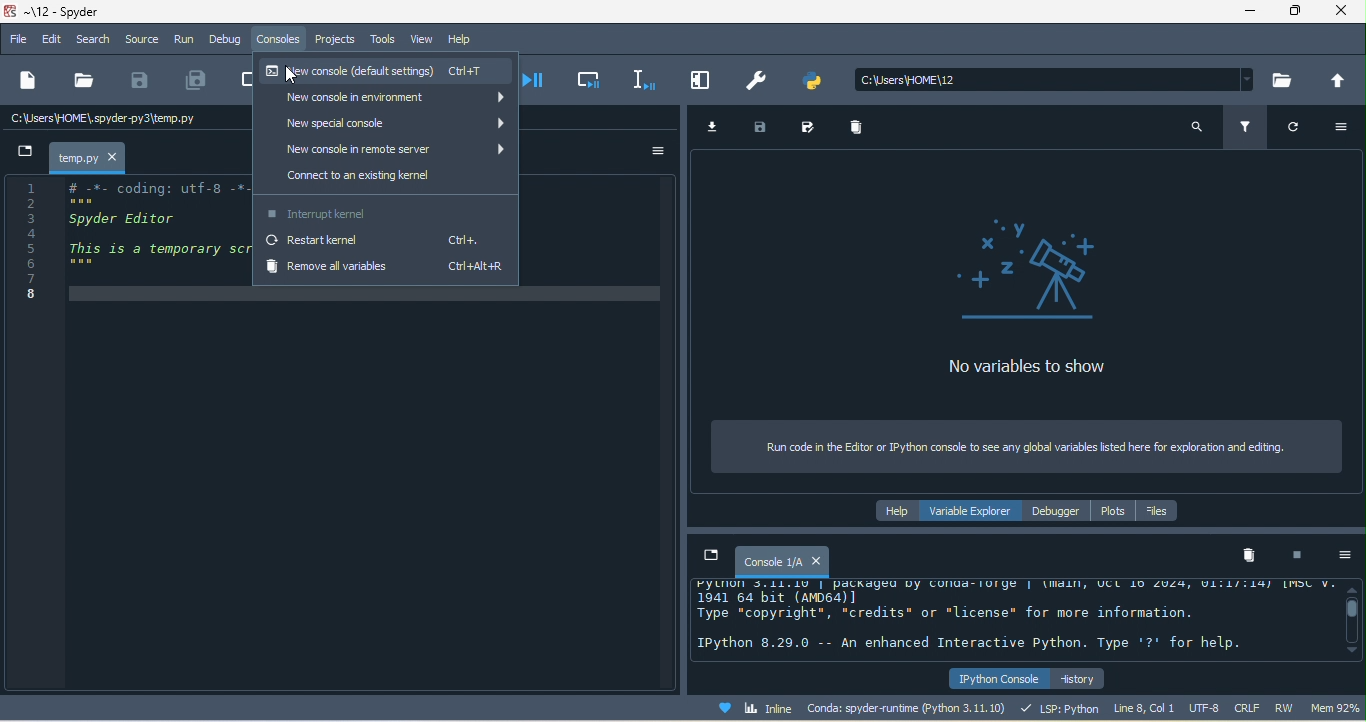  Describe the element at coordinates (1346, 13) in the screenshot. I see `close` at that location.